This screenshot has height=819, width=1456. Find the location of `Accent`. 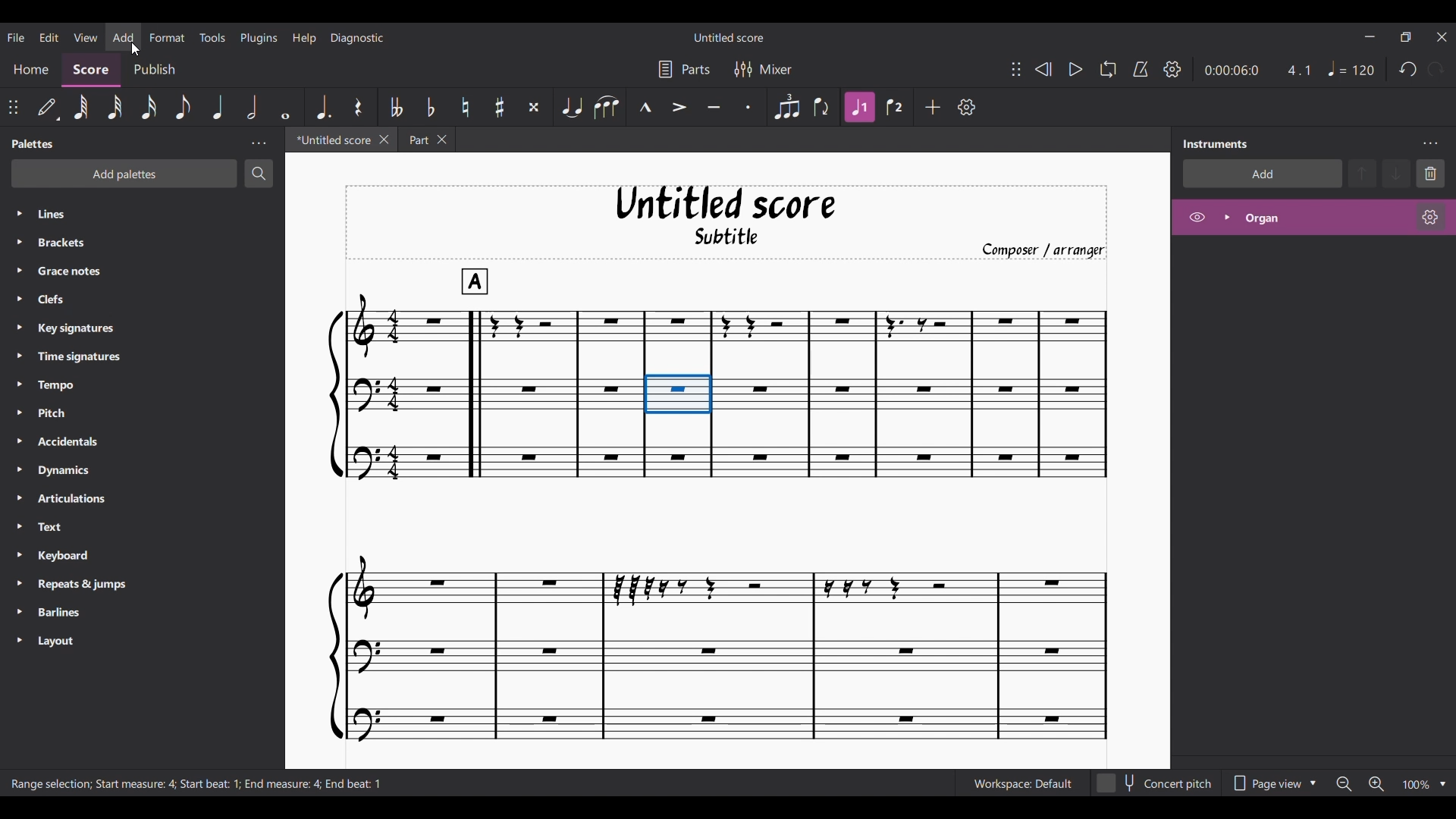

Accent is located at coordinates (679, 108).